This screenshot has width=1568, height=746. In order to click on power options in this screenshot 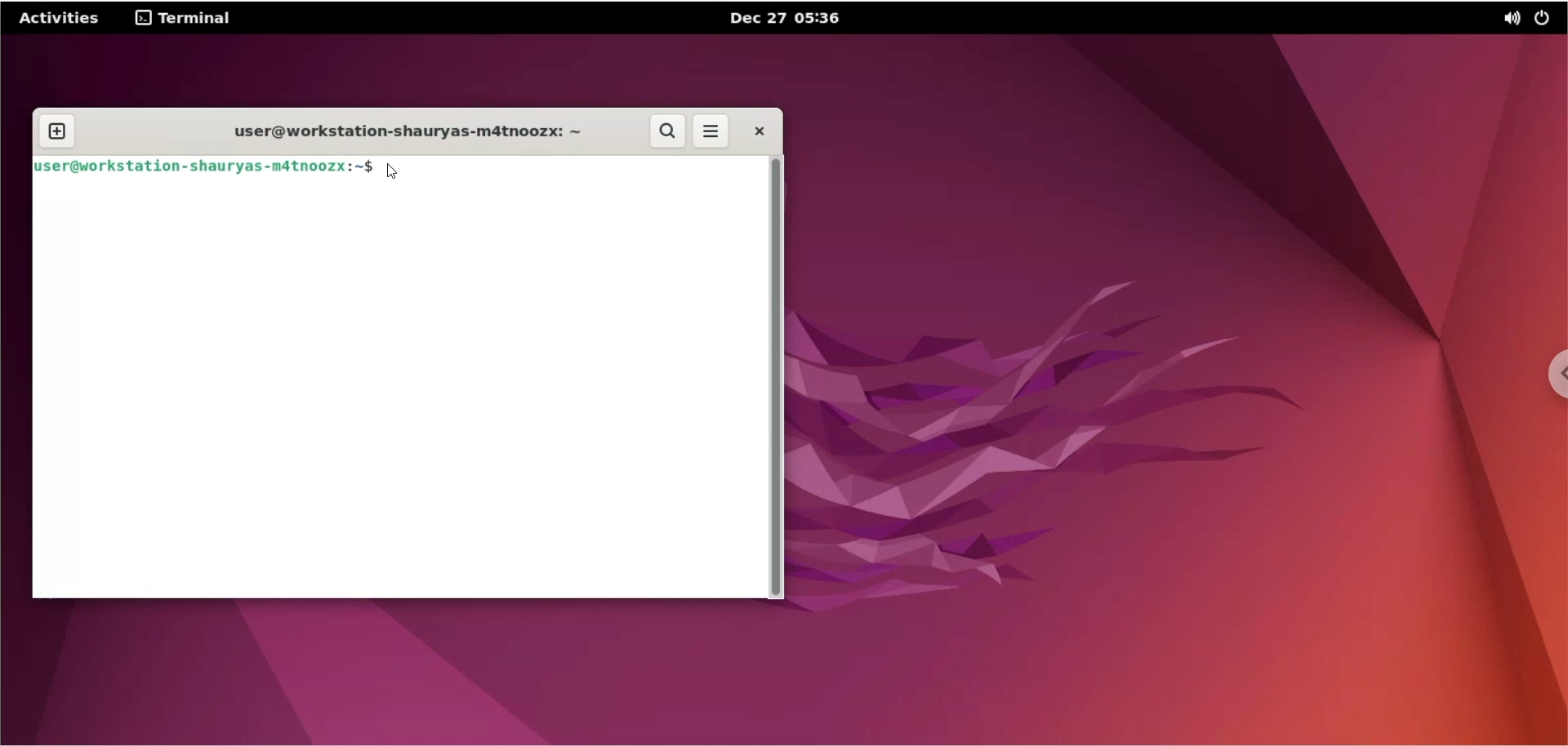, I will do `click(1546, 18)`.